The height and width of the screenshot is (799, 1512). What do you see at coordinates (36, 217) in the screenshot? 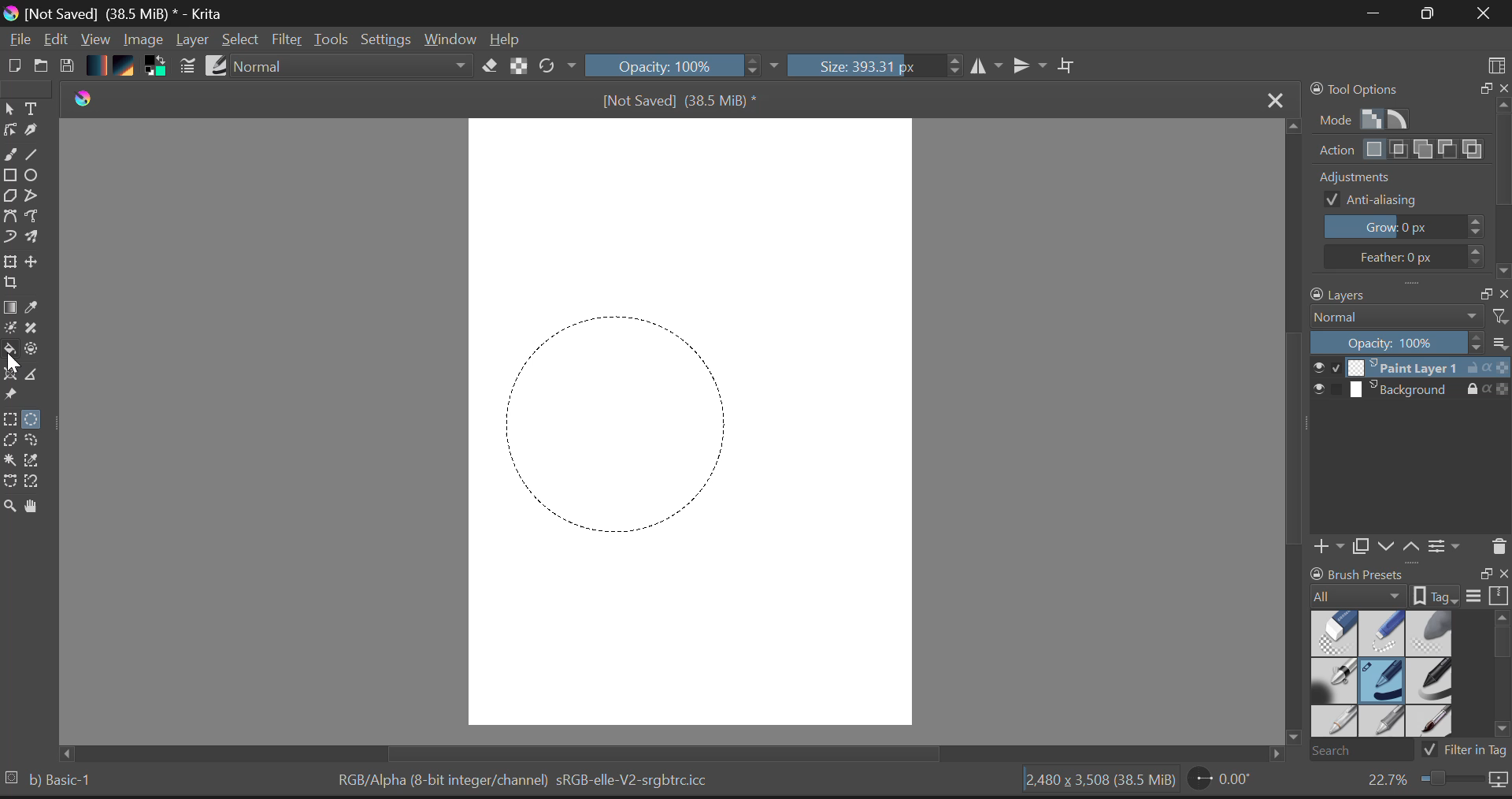
I see `Freehand Path Tool` at bounding box center [36, 217].